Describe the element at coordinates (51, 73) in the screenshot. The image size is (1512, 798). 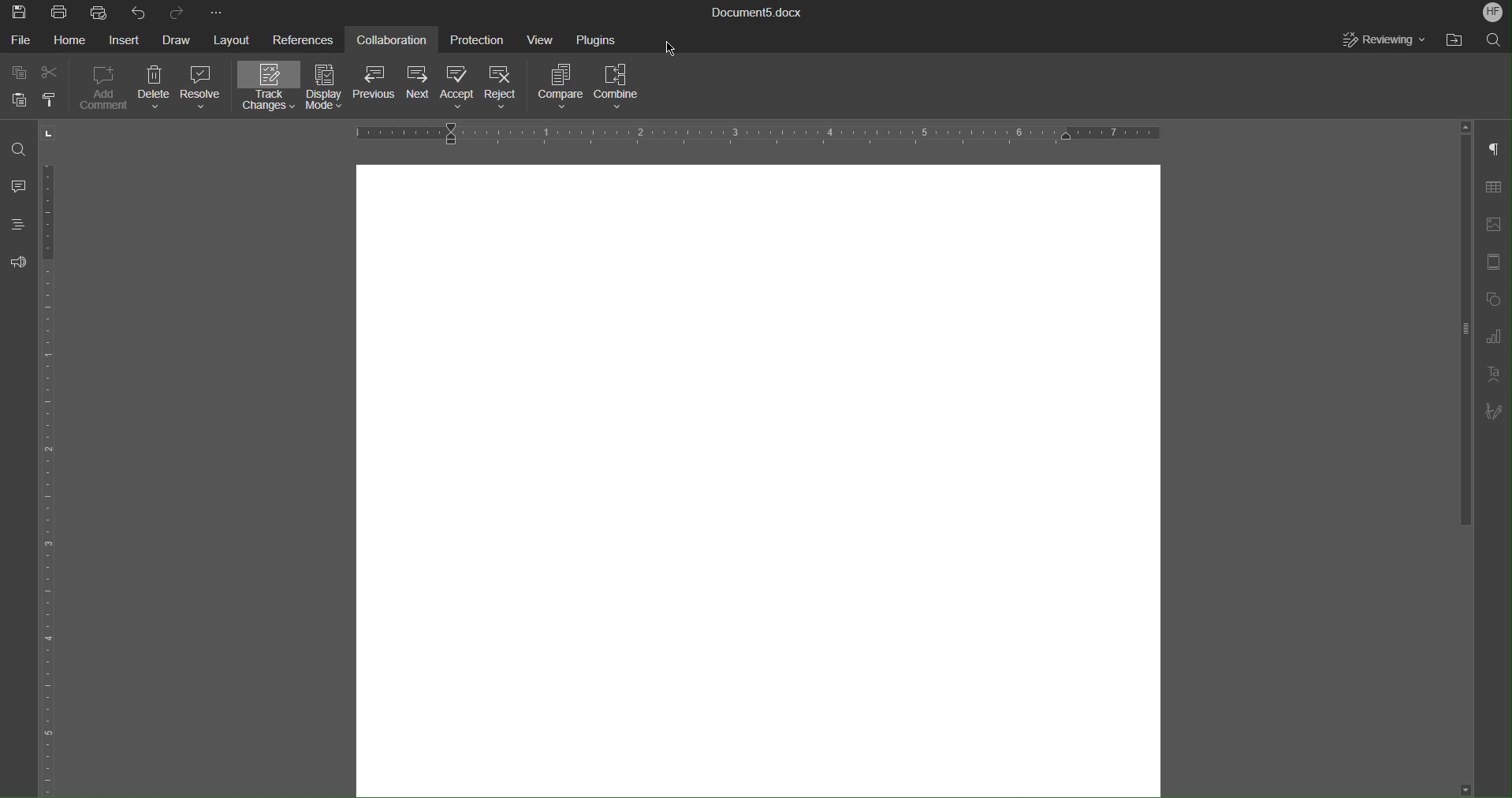
I see `Cut` at that location.